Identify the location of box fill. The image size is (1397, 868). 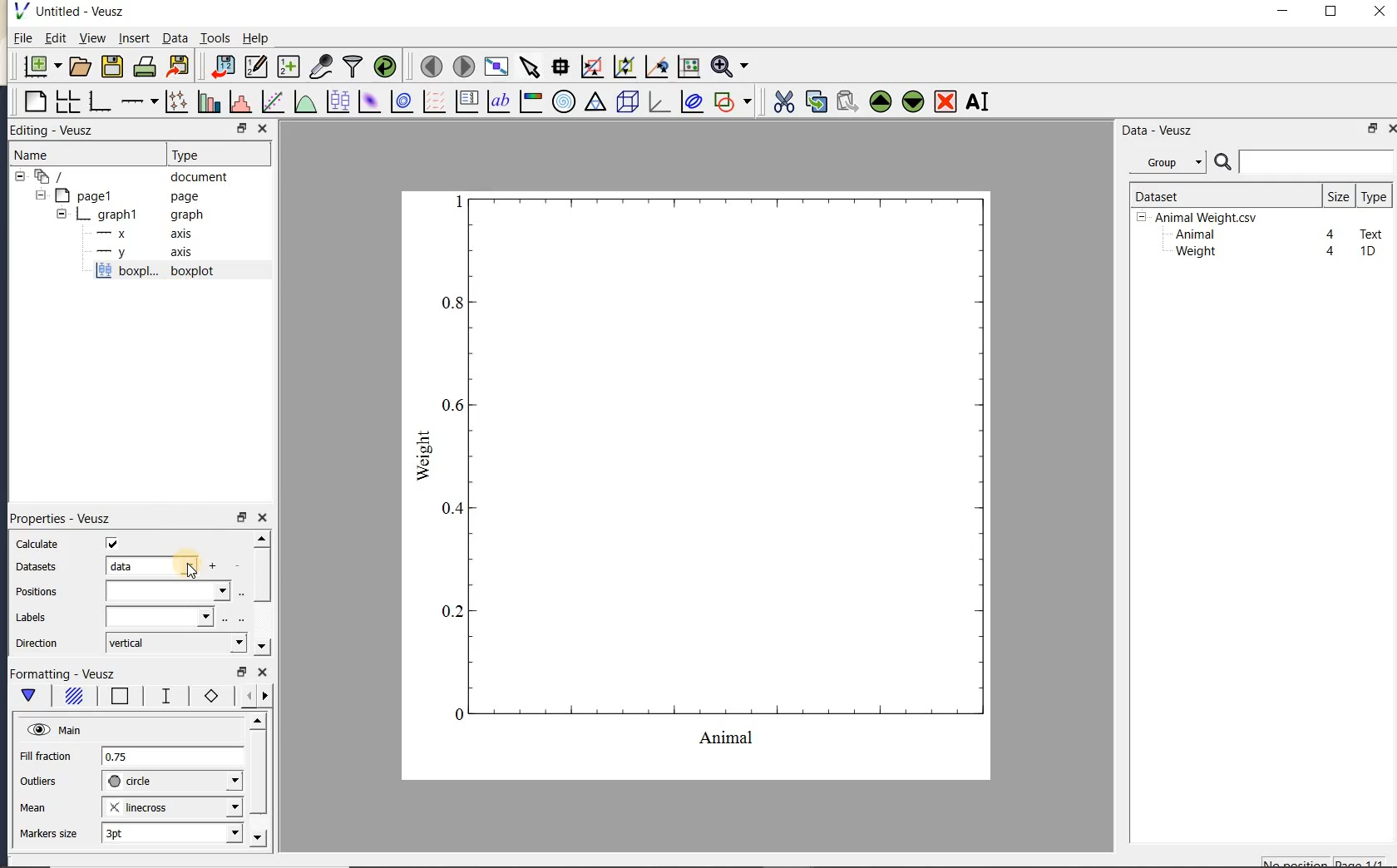
(72, 697).